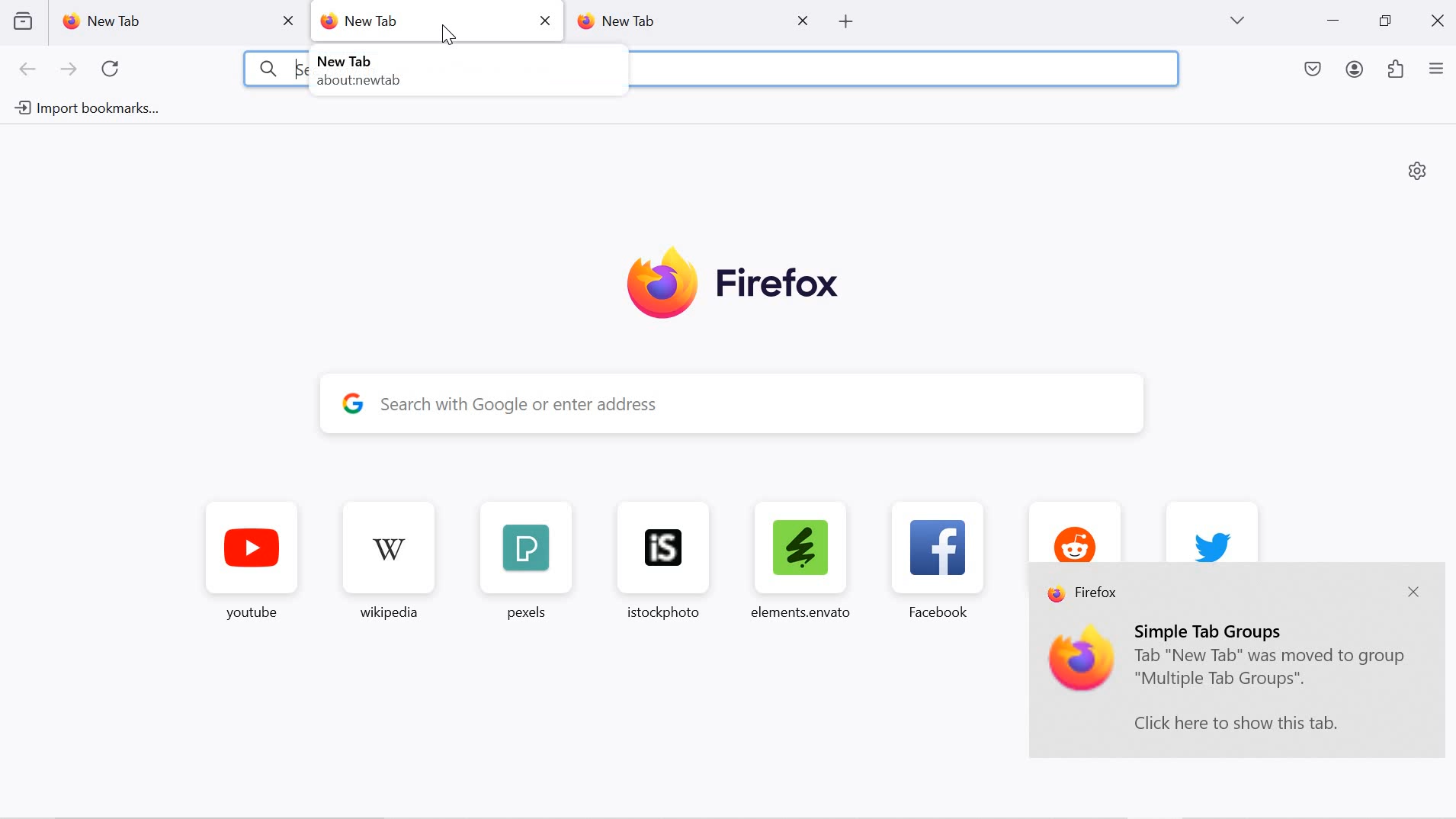 This screenshot has width=1456, height=819. I want to click on app name, so click(1085, 595).